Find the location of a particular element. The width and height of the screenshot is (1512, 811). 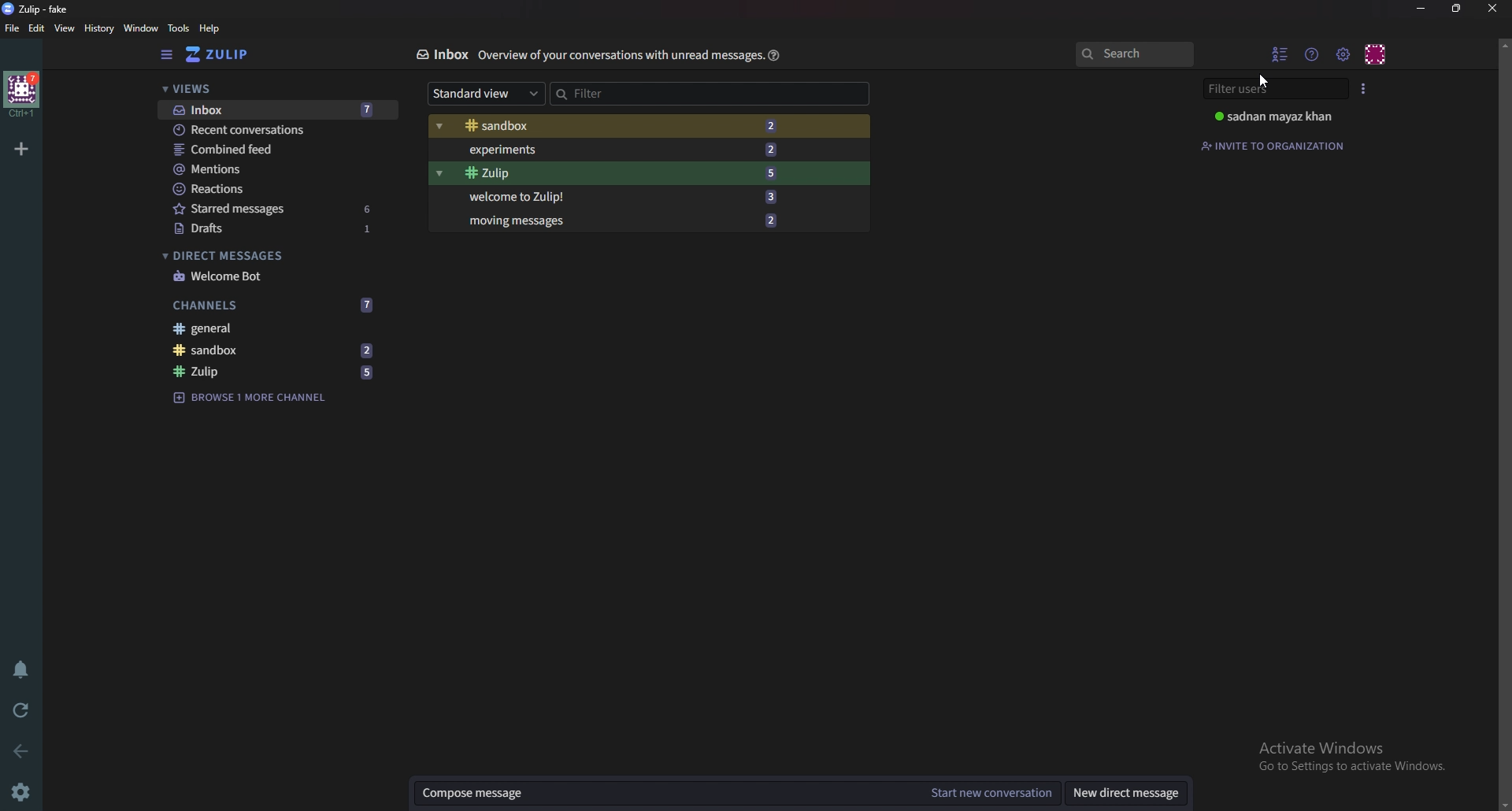

Reload is located at coordinates (21, 709).